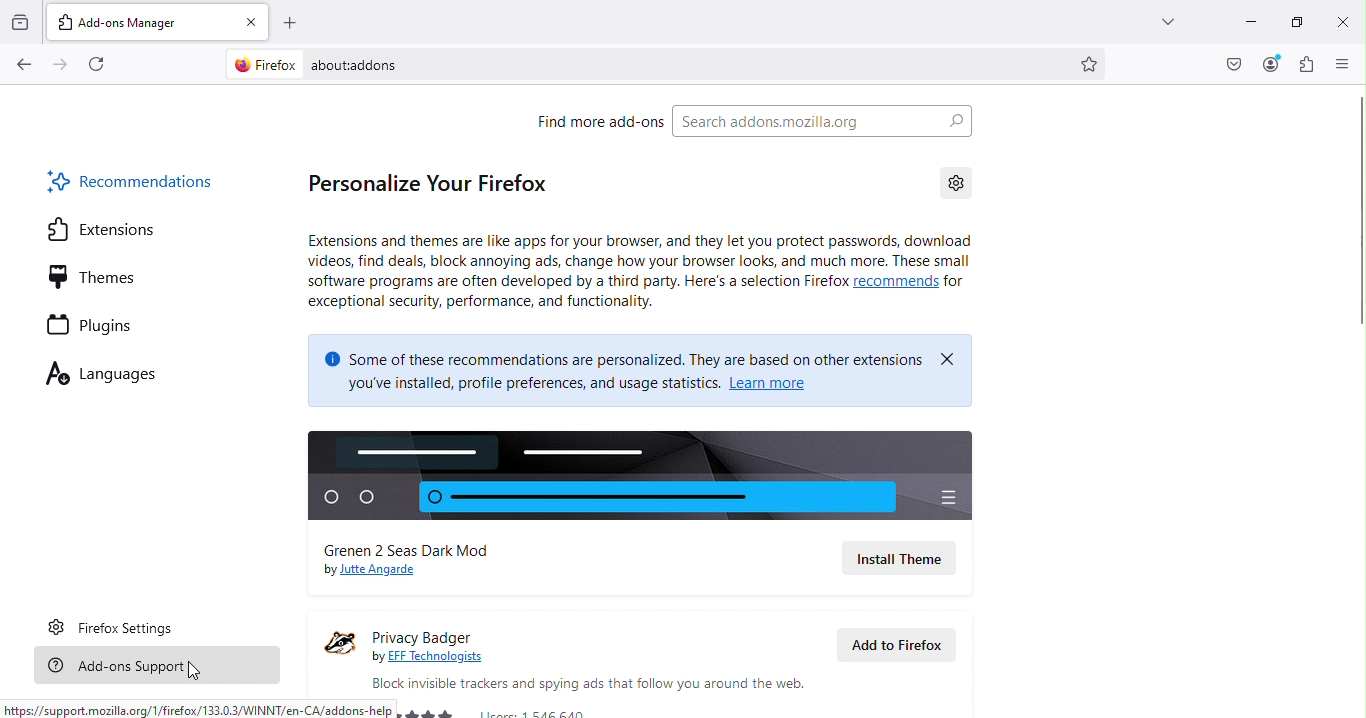 The image size is (1366, 718). What do you see at coordinates (197, 708) in the screenshot?
I see `https://support.mozilla.ora/1/firefox/133.0.3/WINNT/en-CA/addons-help` at bounding box center [197, 708].